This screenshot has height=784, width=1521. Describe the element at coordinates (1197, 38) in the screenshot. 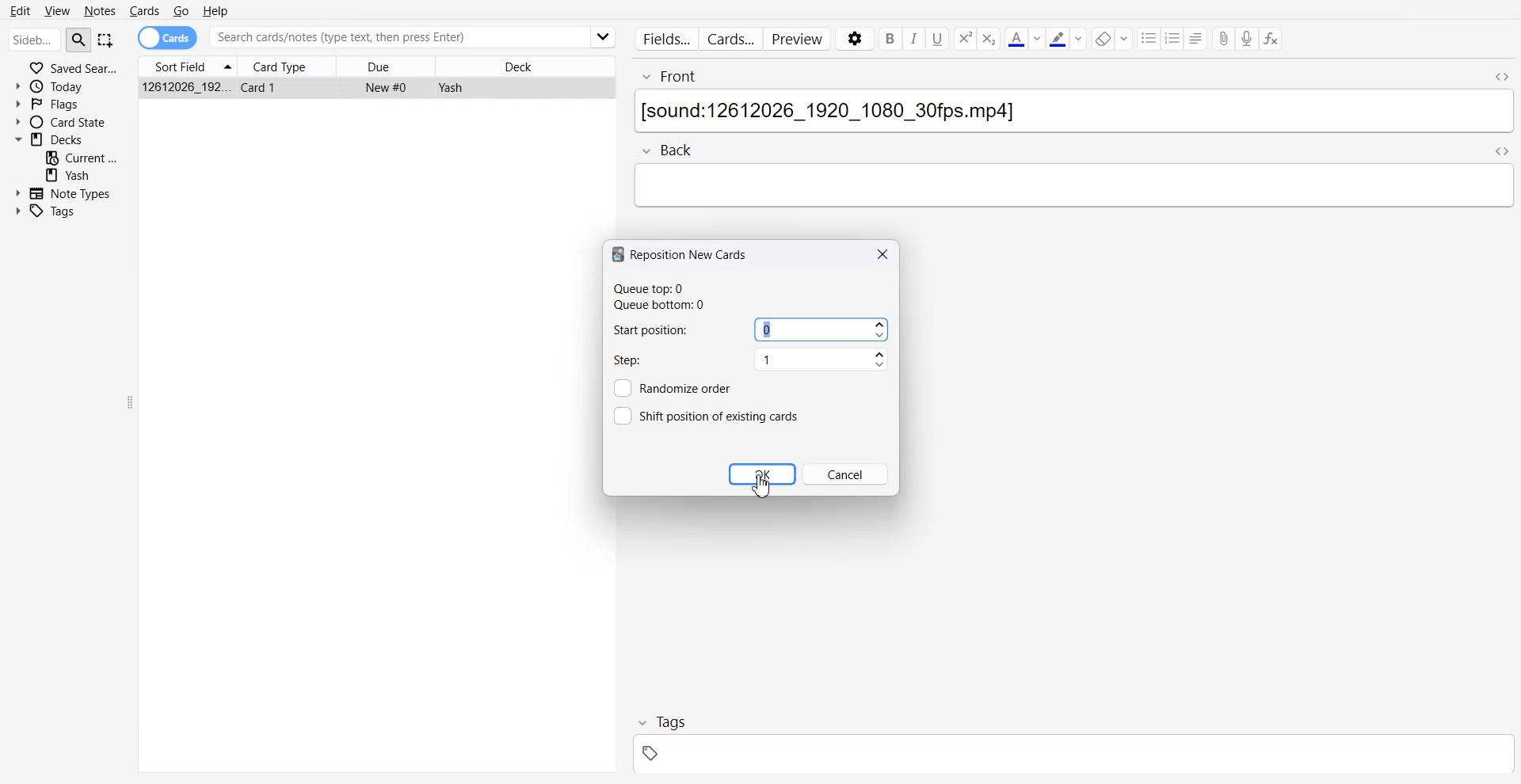

I see `Allignment` at that location.